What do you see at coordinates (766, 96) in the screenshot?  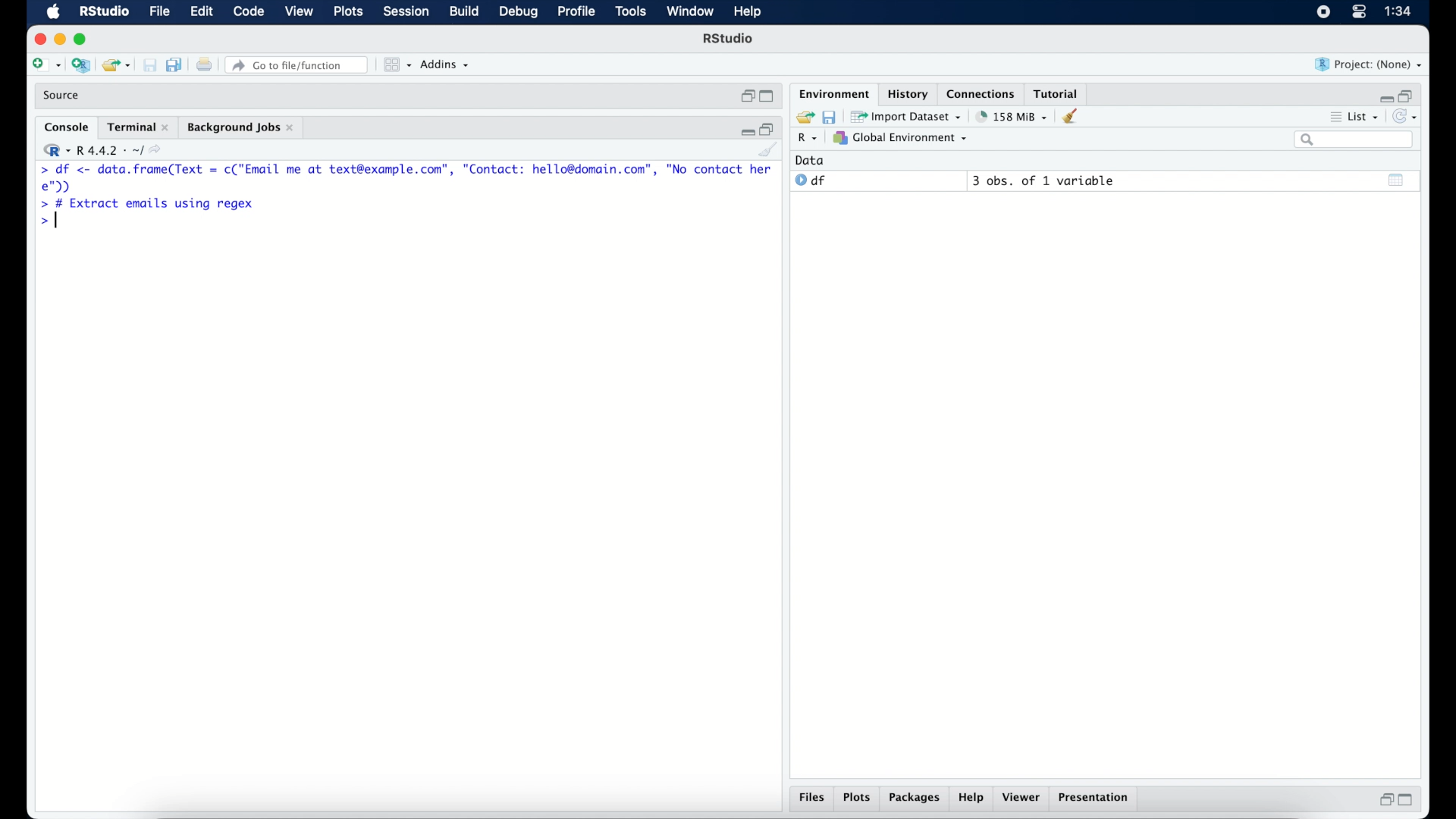 I see `maximize` at bounding box center [766, 96].